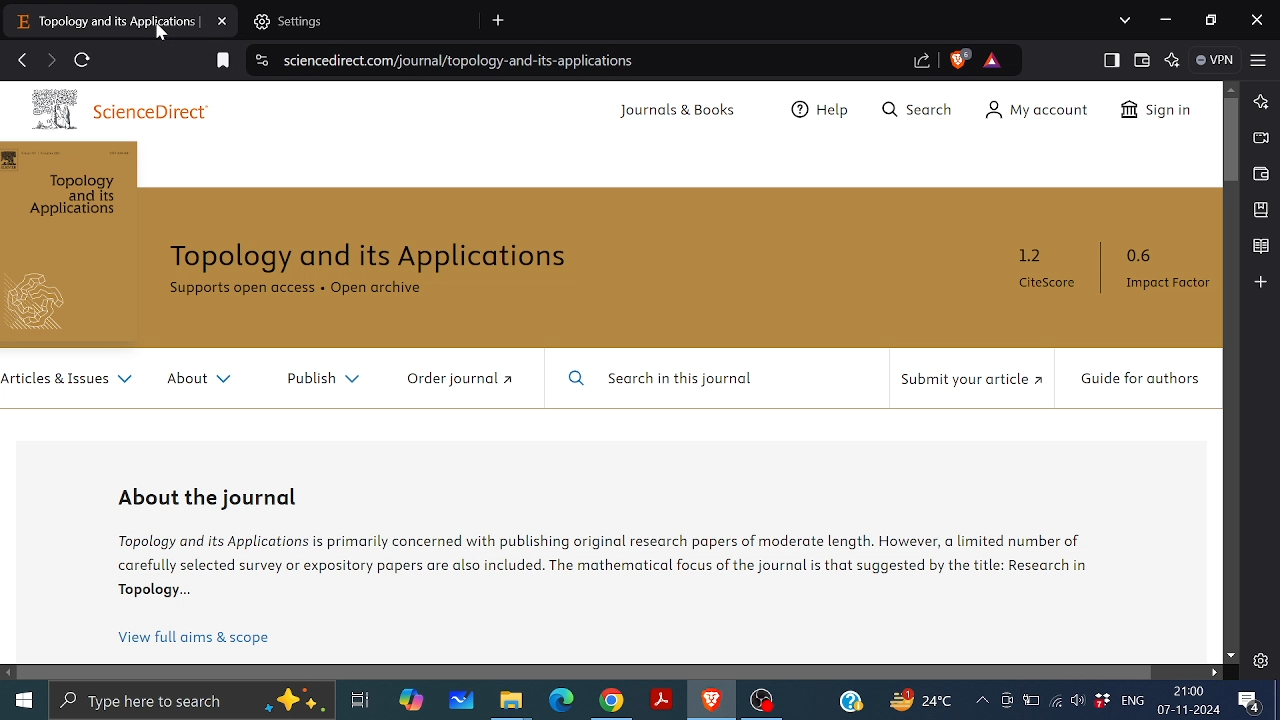  I want to click on Task view, so click(359, 701).